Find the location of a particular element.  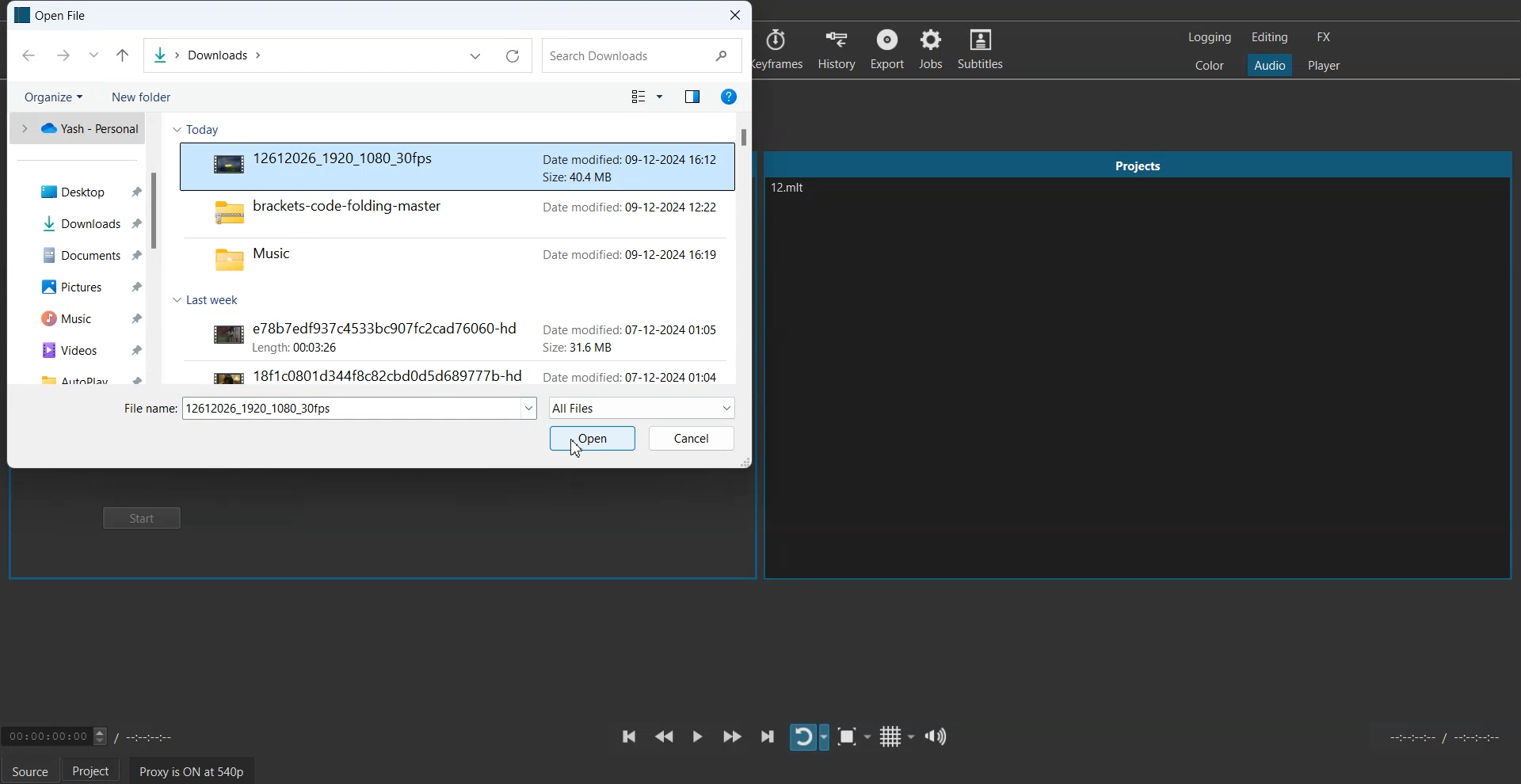

Up to last folder is located at coordinates (123, 55).